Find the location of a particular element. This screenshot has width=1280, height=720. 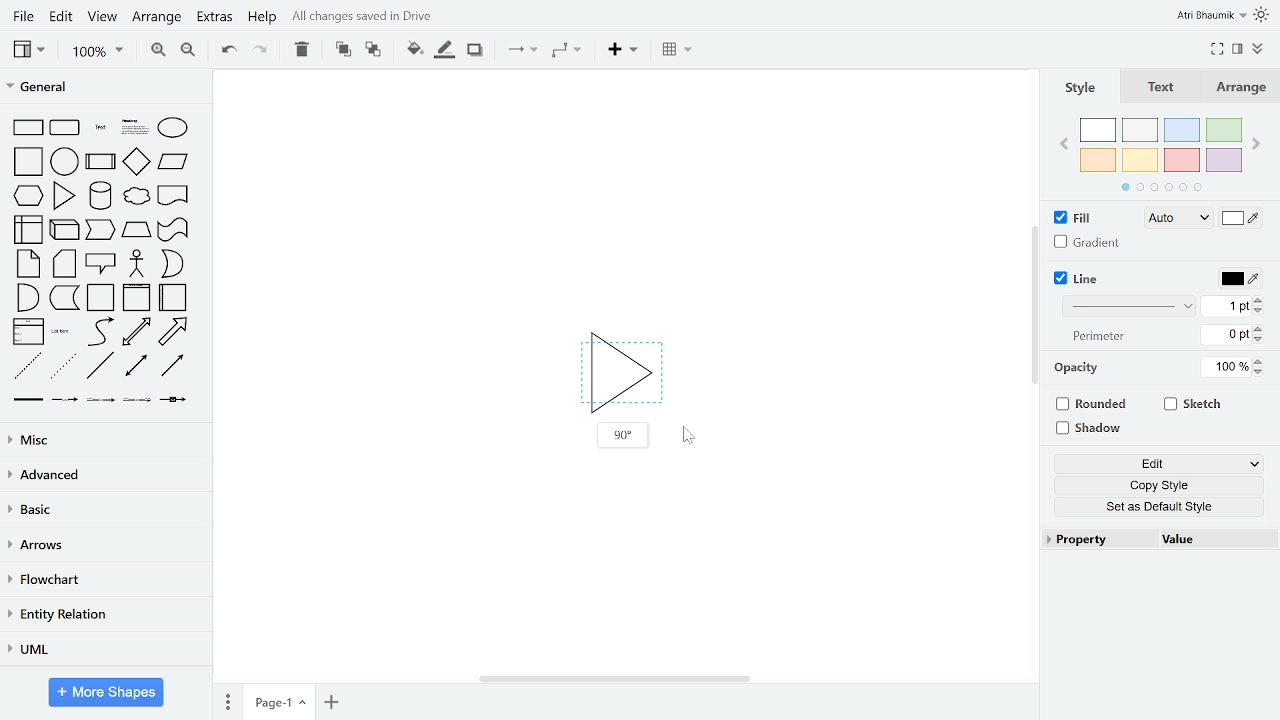

fill color is located at coordinates (1240, 221).